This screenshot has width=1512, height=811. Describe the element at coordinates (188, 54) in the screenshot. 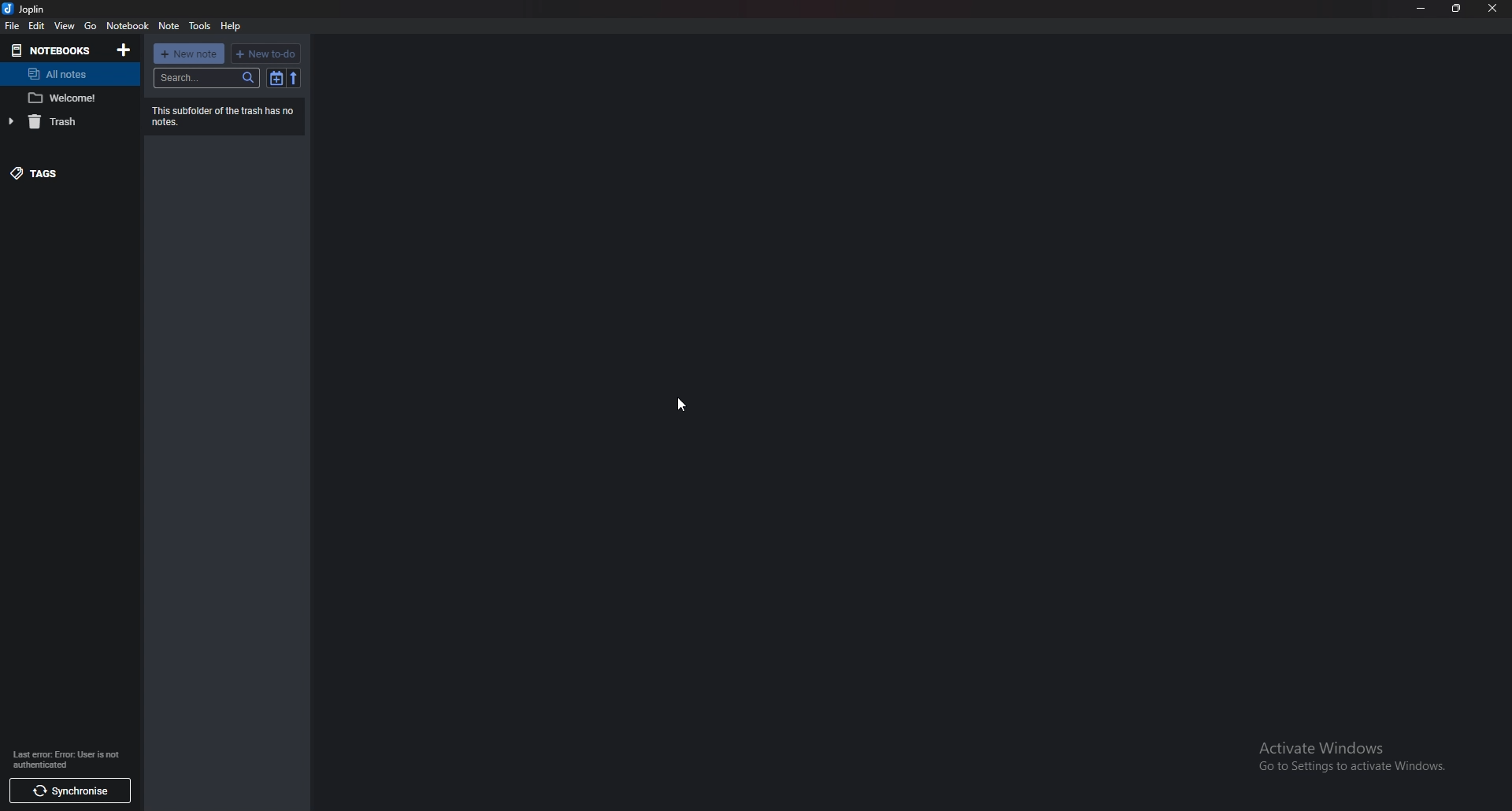

I see `New note` at that location.